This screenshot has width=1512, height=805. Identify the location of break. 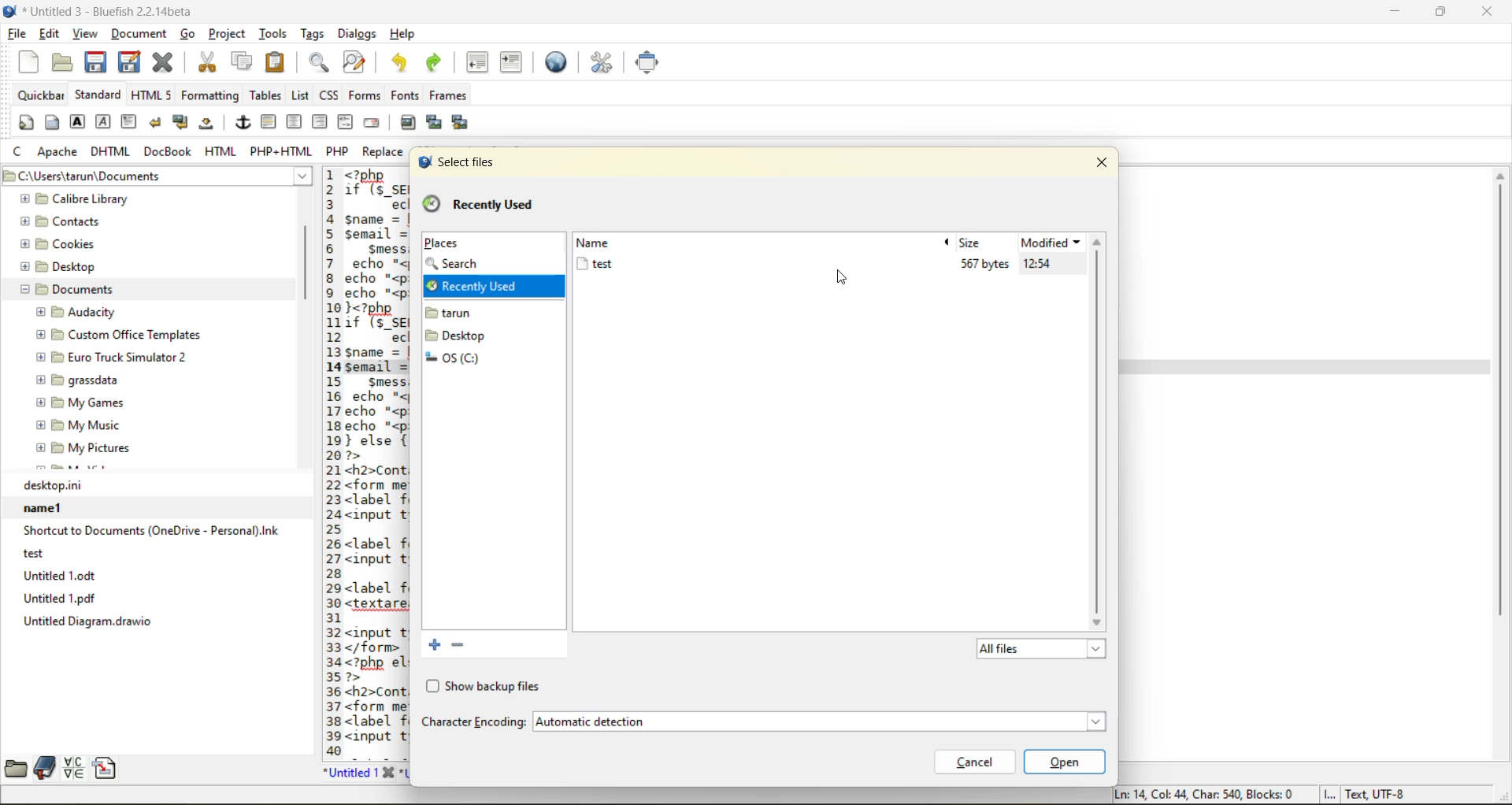
(157, 123).